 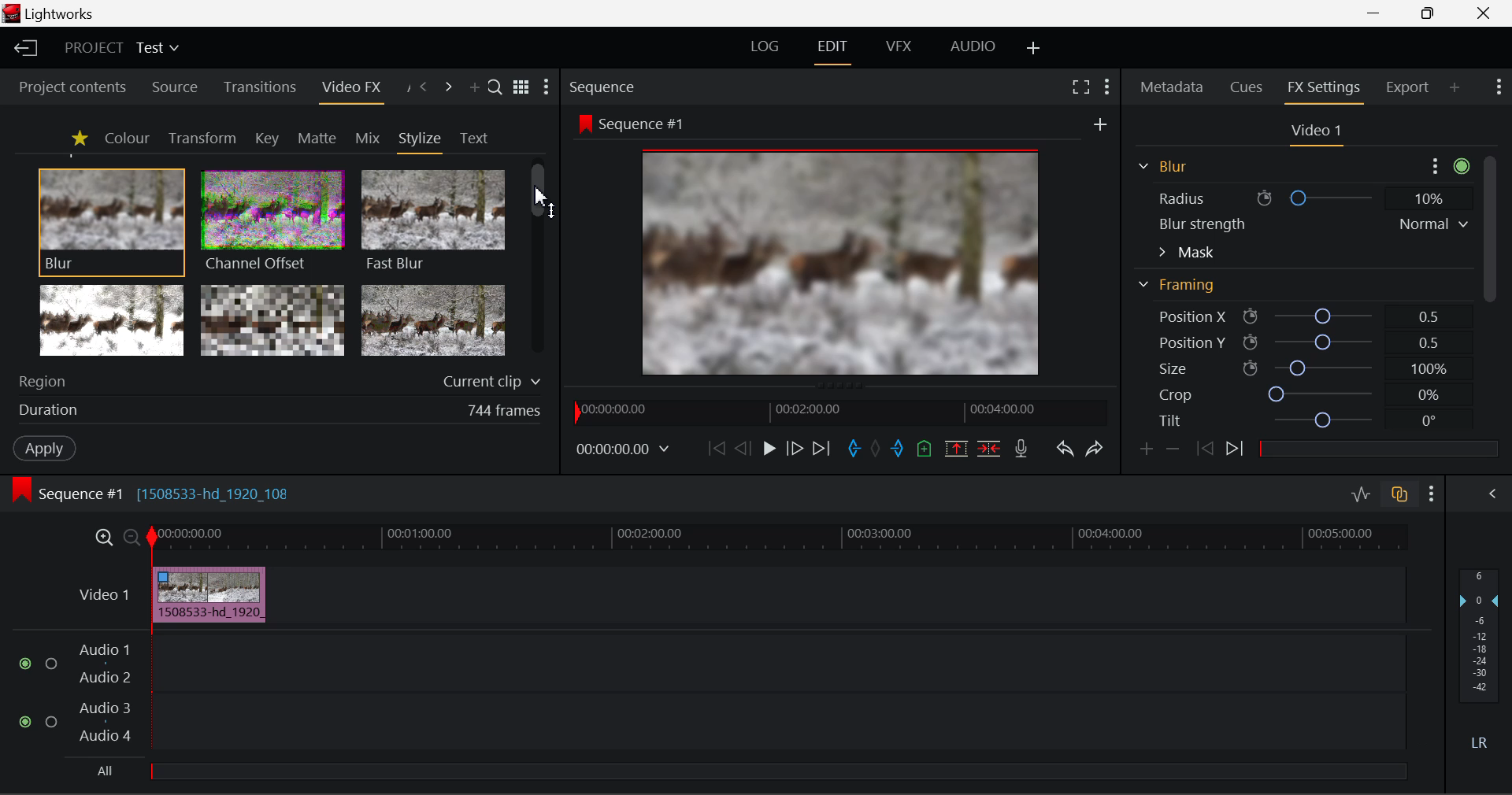 I want to click on more options, so click(x=1446, y=164).